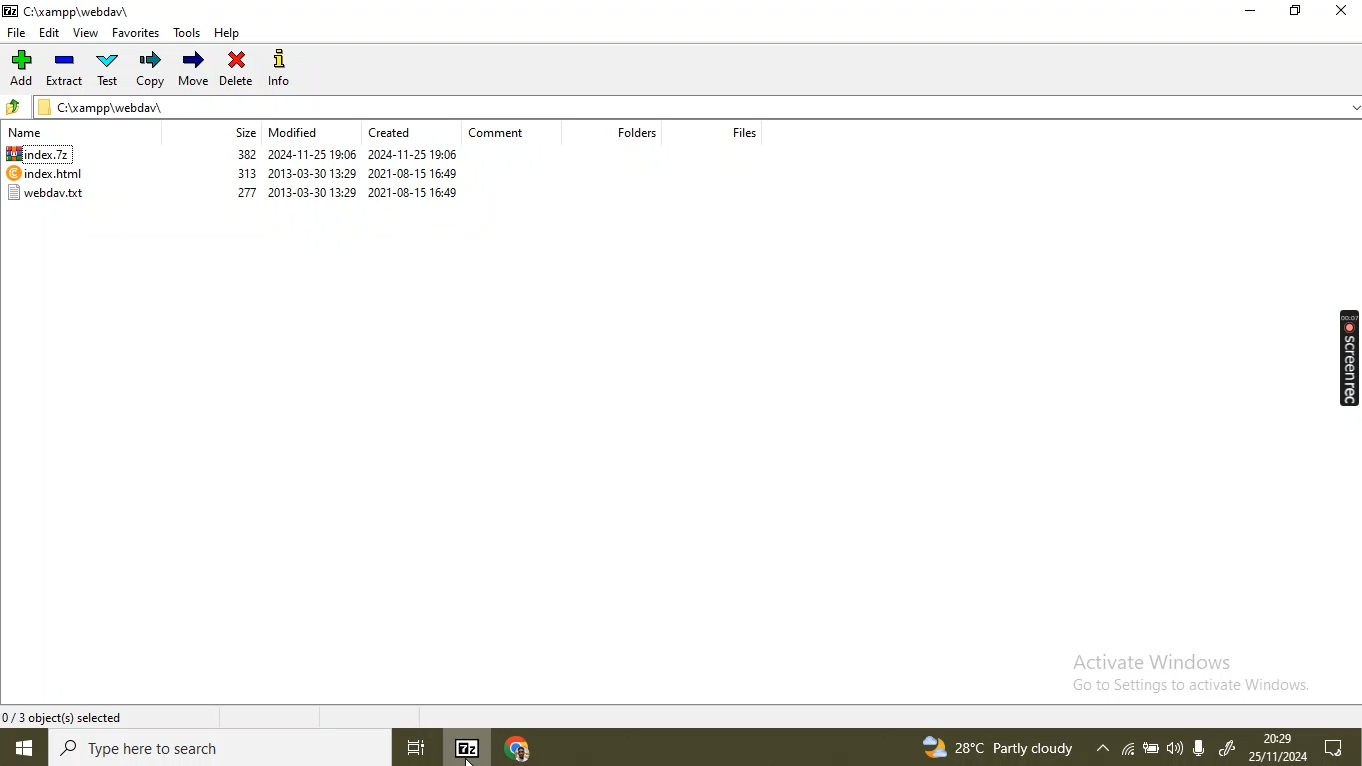 The height and width of the screenshot is (766, 1362). What do you see at coordinates (21, 748) in the screenshot?
I see `window button` at bounding box center [21, 748].